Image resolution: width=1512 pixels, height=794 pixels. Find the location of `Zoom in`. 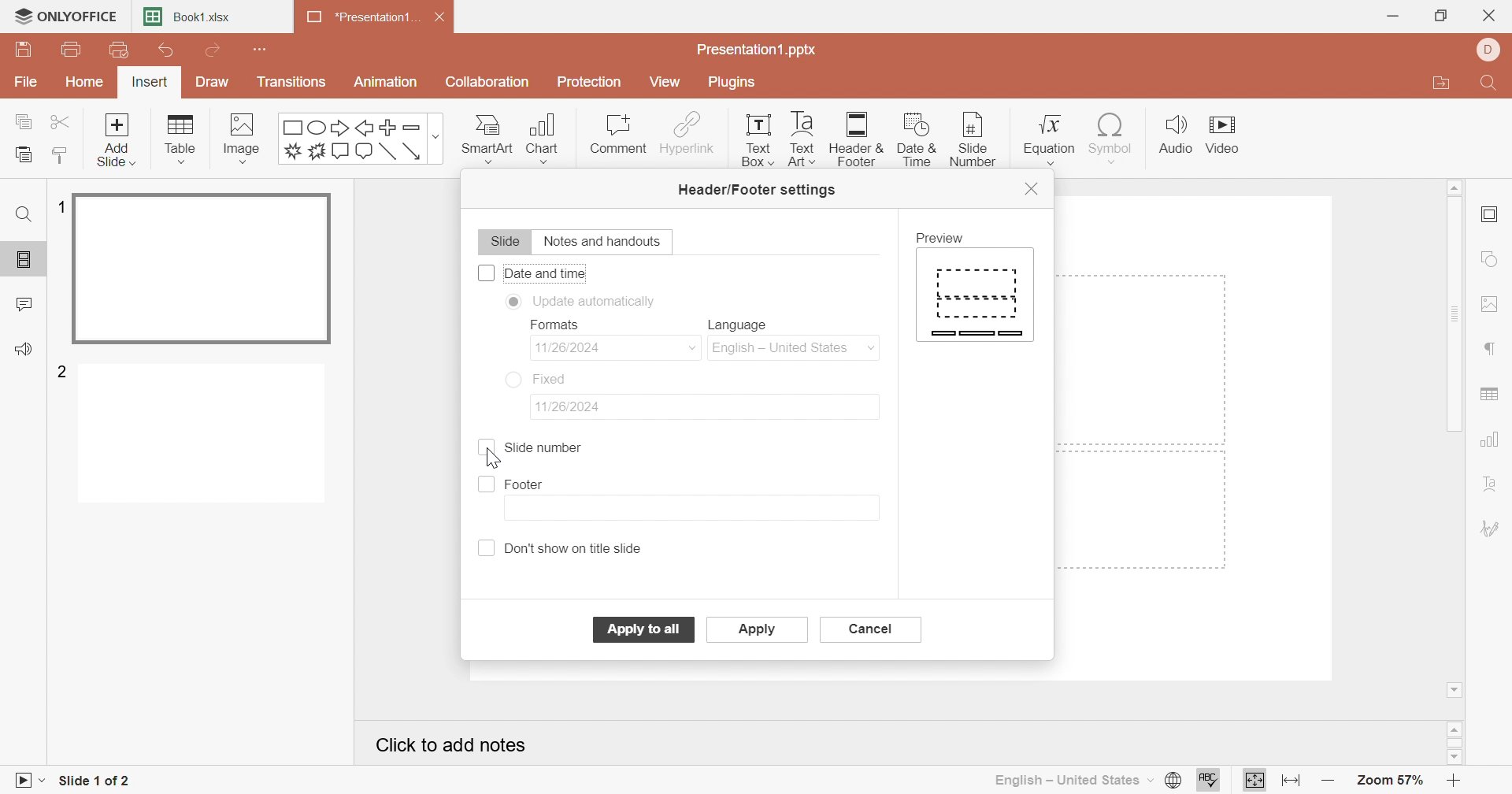

Zoom in is located at coordinates (1459, 781).